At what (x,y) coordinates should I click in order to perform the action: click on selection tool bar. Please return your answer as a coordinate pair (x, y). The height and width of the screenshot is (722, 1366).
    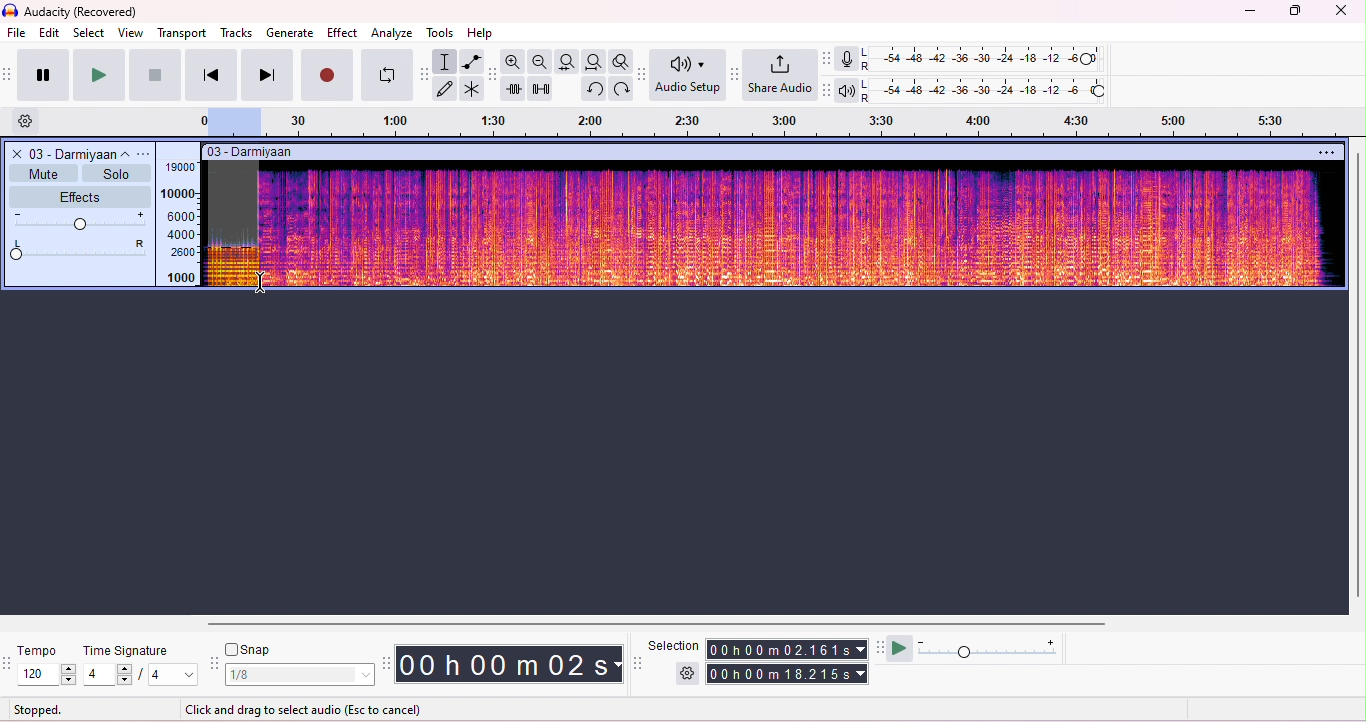
    Looking at the image, I should click on (638, 663).